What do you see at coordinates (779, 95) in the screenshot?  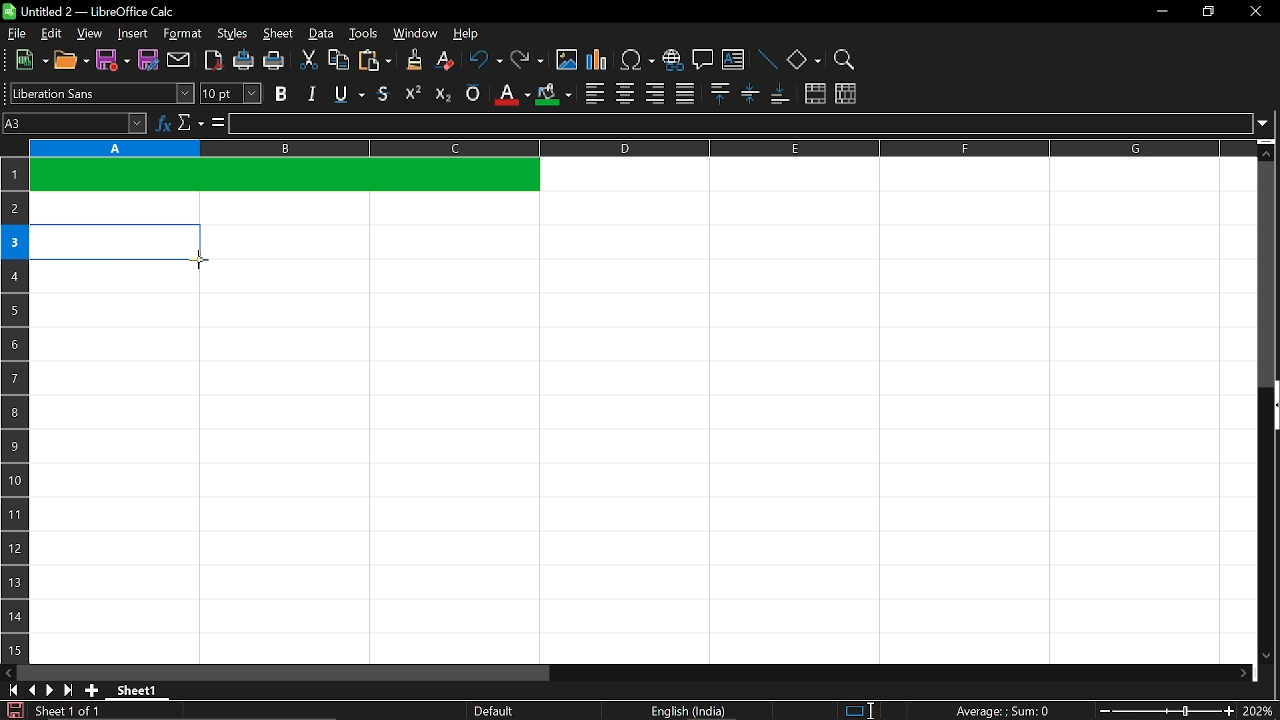 I see `align bottom` at bounding box center [779, 95].